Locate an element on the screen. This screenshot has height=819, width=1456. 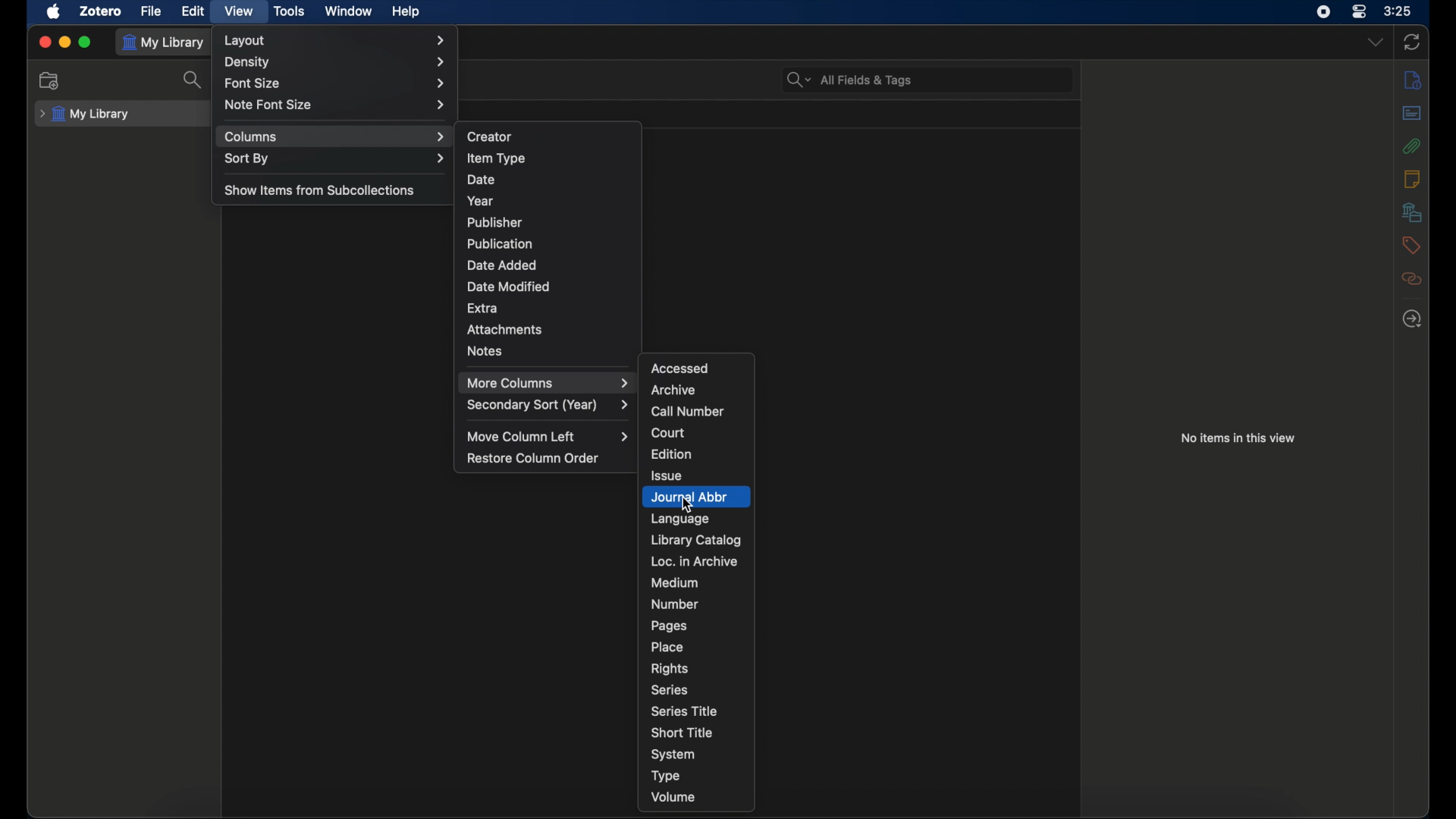
short title is located at coordinates (682, 733).